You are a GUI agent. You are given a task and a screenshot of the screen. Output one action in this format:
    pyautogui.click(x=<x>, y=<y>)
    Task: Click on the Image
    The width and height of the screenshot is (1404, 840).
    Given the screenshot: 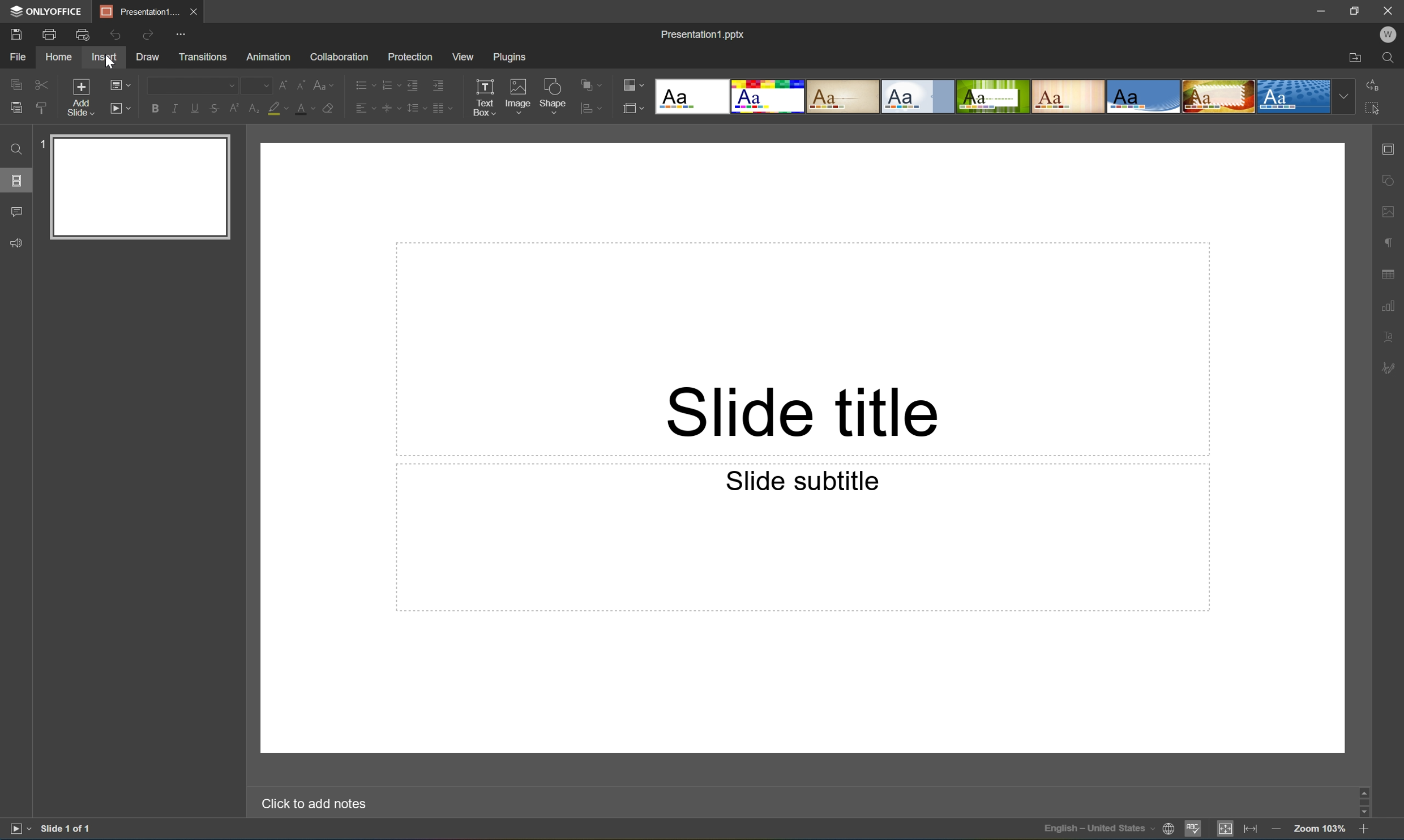 What is the action you would take?
    pyautogui.click(x=519, y=95)
    